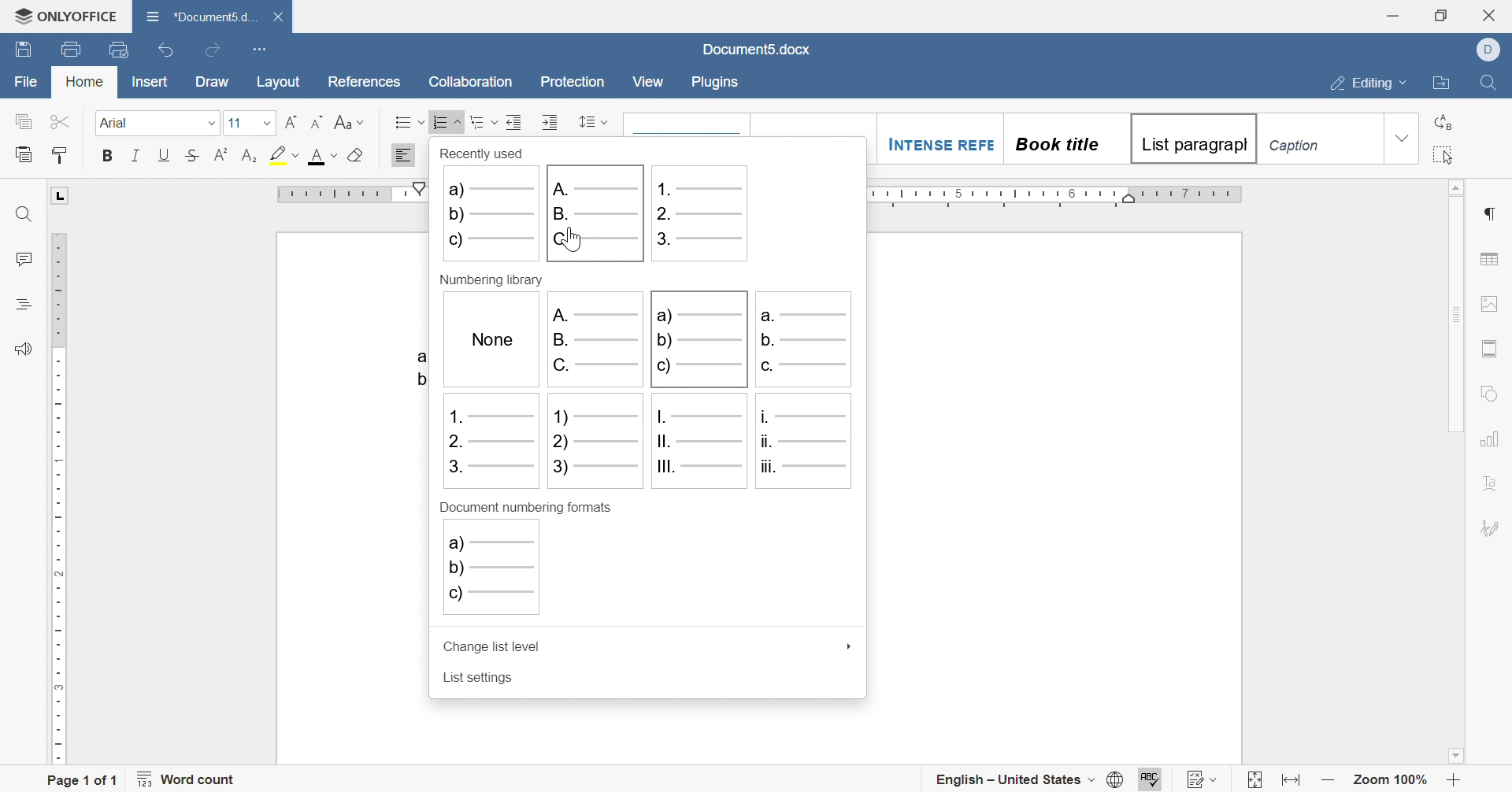 The image size is (1512, 792). What do you see at coordinates (74, 48) in the screenshot?
I see `print` at bounding box center [74, 48].